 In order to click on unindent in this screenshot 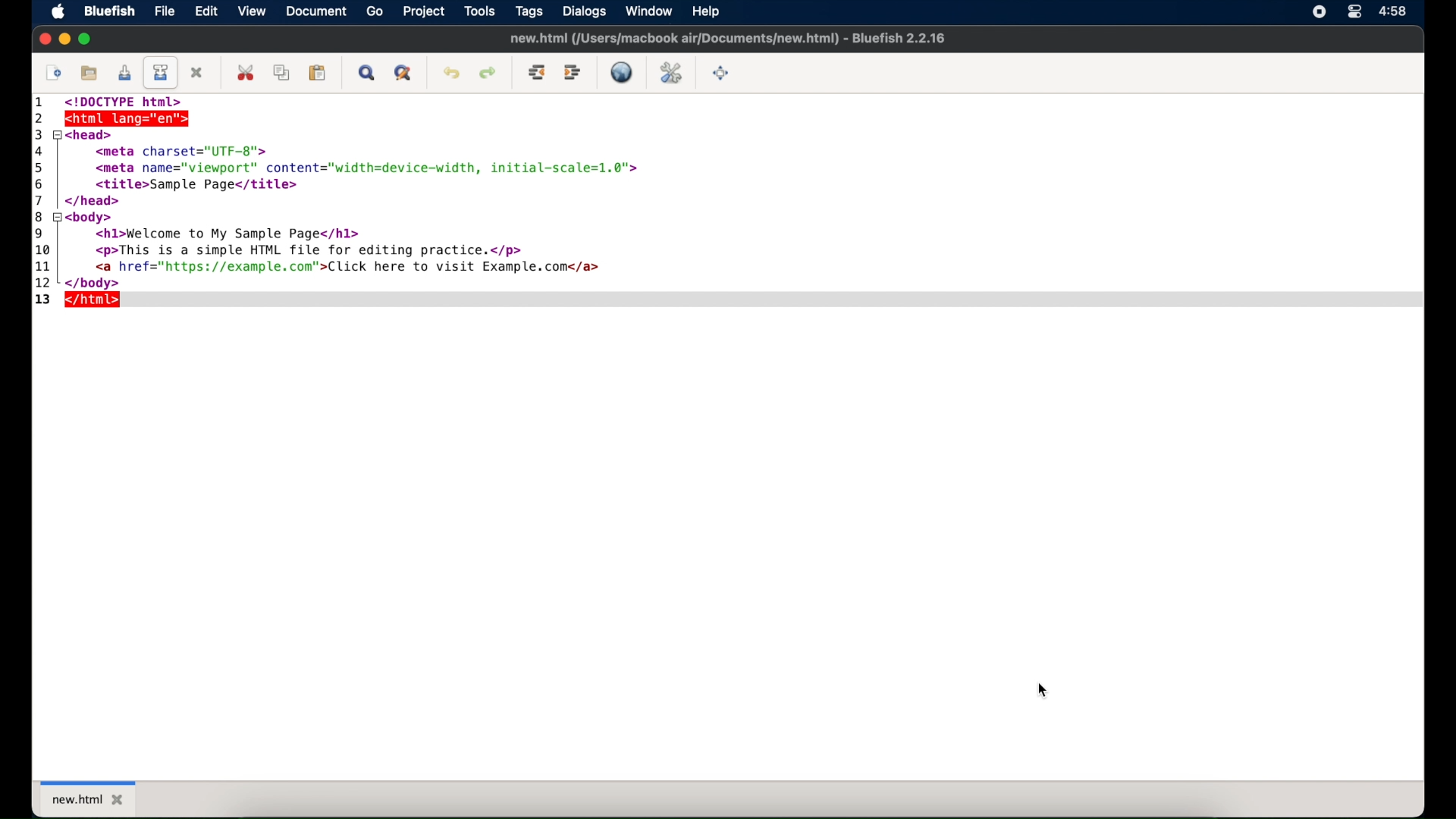, I will do `click(538, 72)`.